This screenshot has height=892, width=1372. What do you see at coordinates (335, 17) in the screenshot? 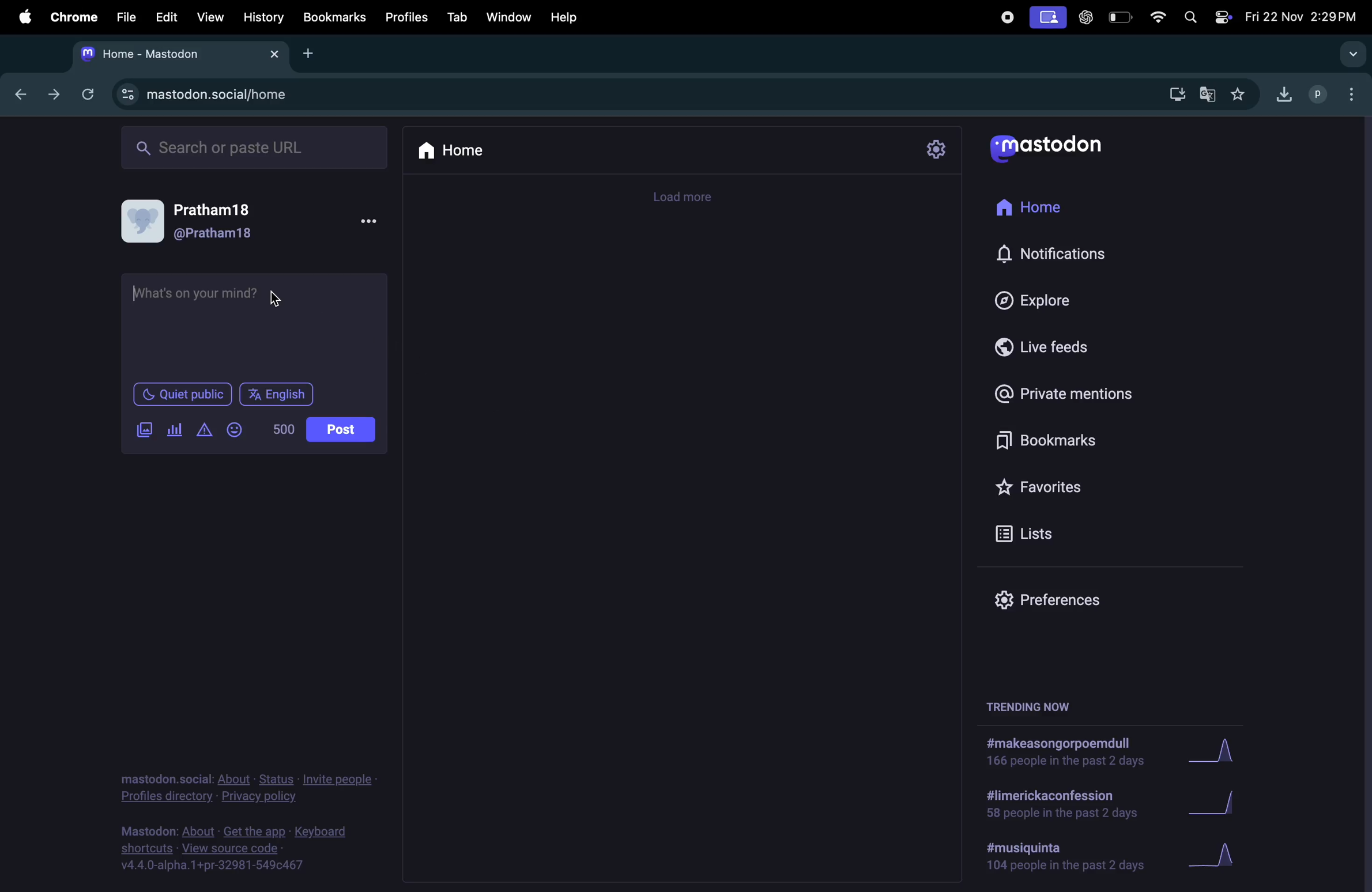
I see `bookmarks` at bounding box center [335, 17].